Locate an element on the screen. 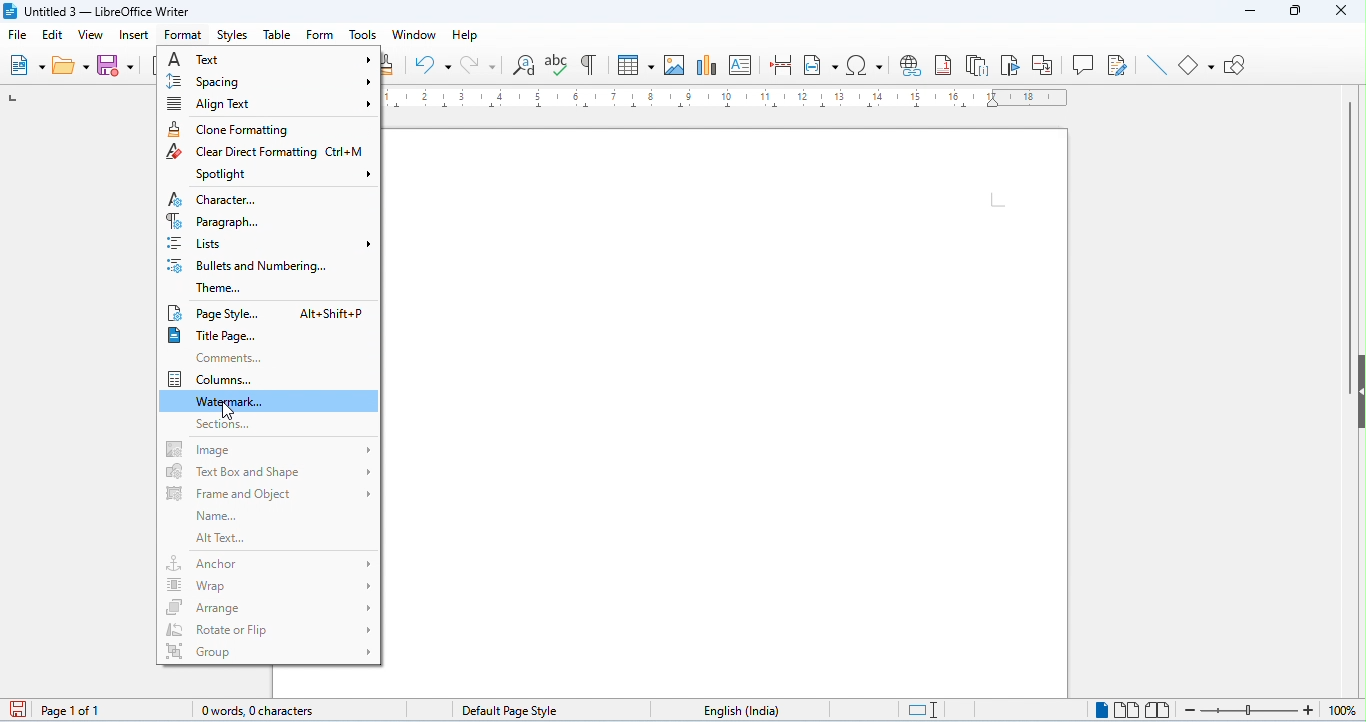 This screenshot has width=1366, height=722. logo is located at coordinates (9, 10).